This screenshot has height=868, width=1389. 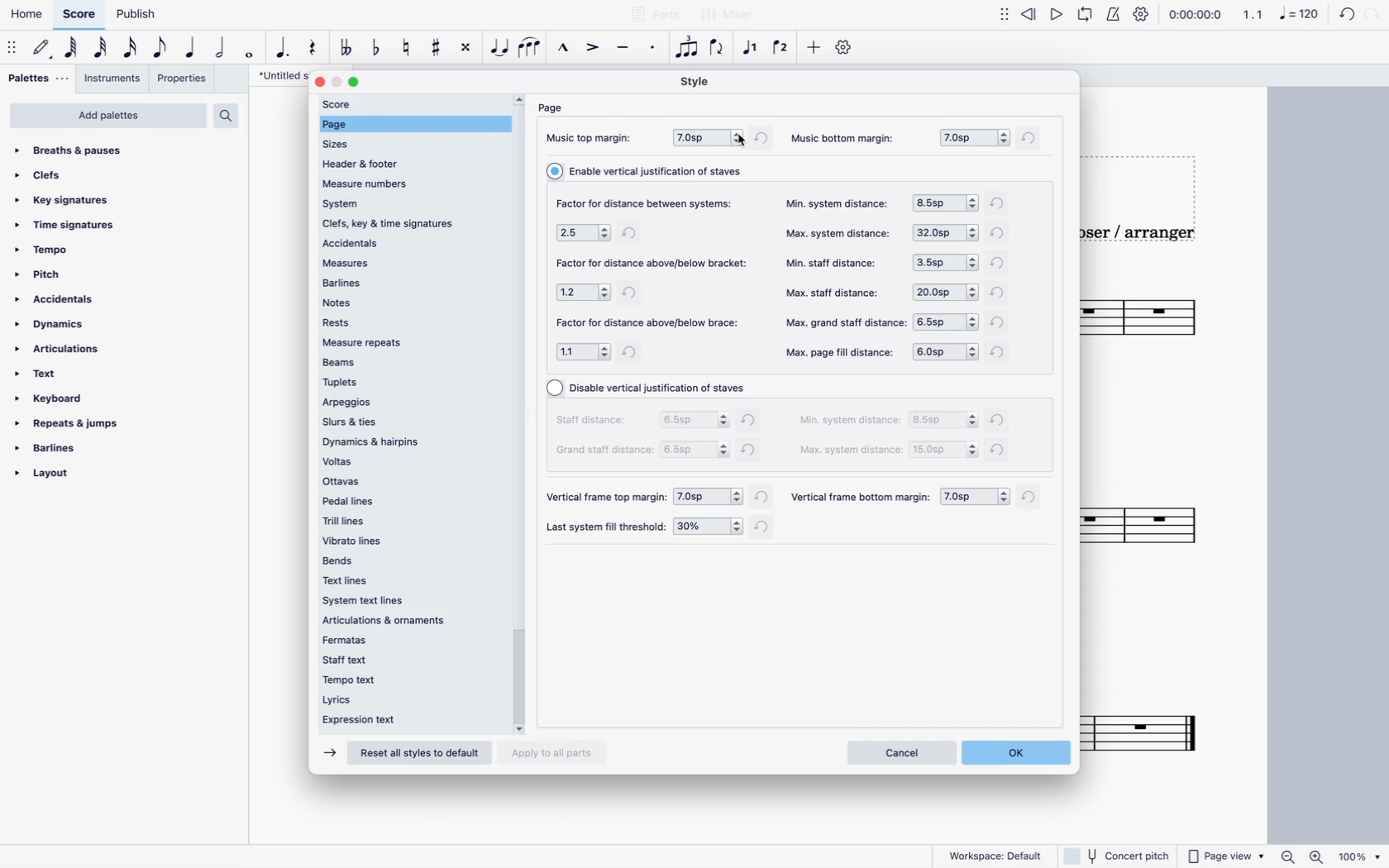 What do you see at coordinates (652, 50) in the screenshot?
I see `stacatto` at bounding box center [652, 50].